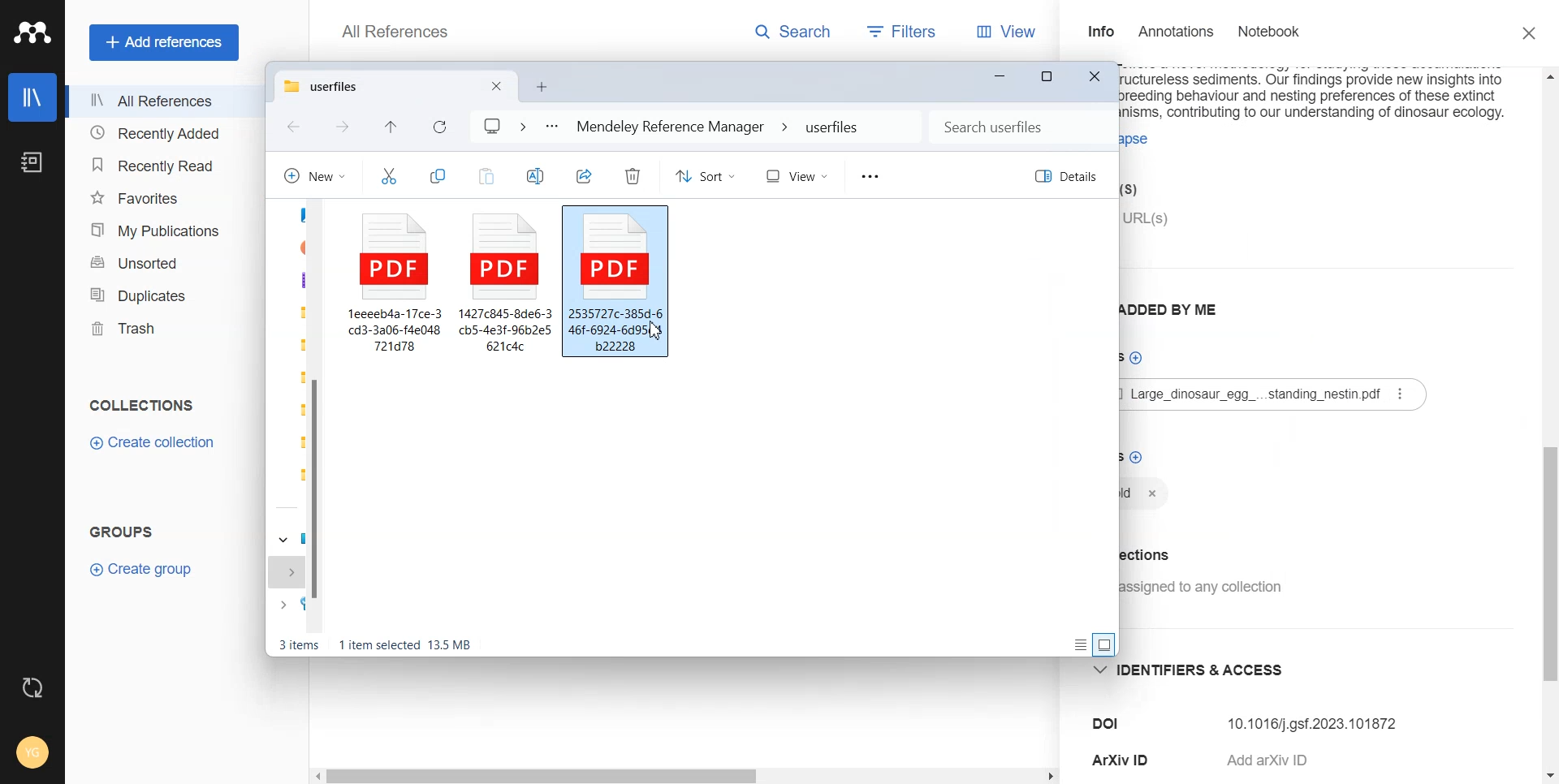  Describe the element at coordinates (1547, 75) in the screenshot. I see `Scroll up` at that location.